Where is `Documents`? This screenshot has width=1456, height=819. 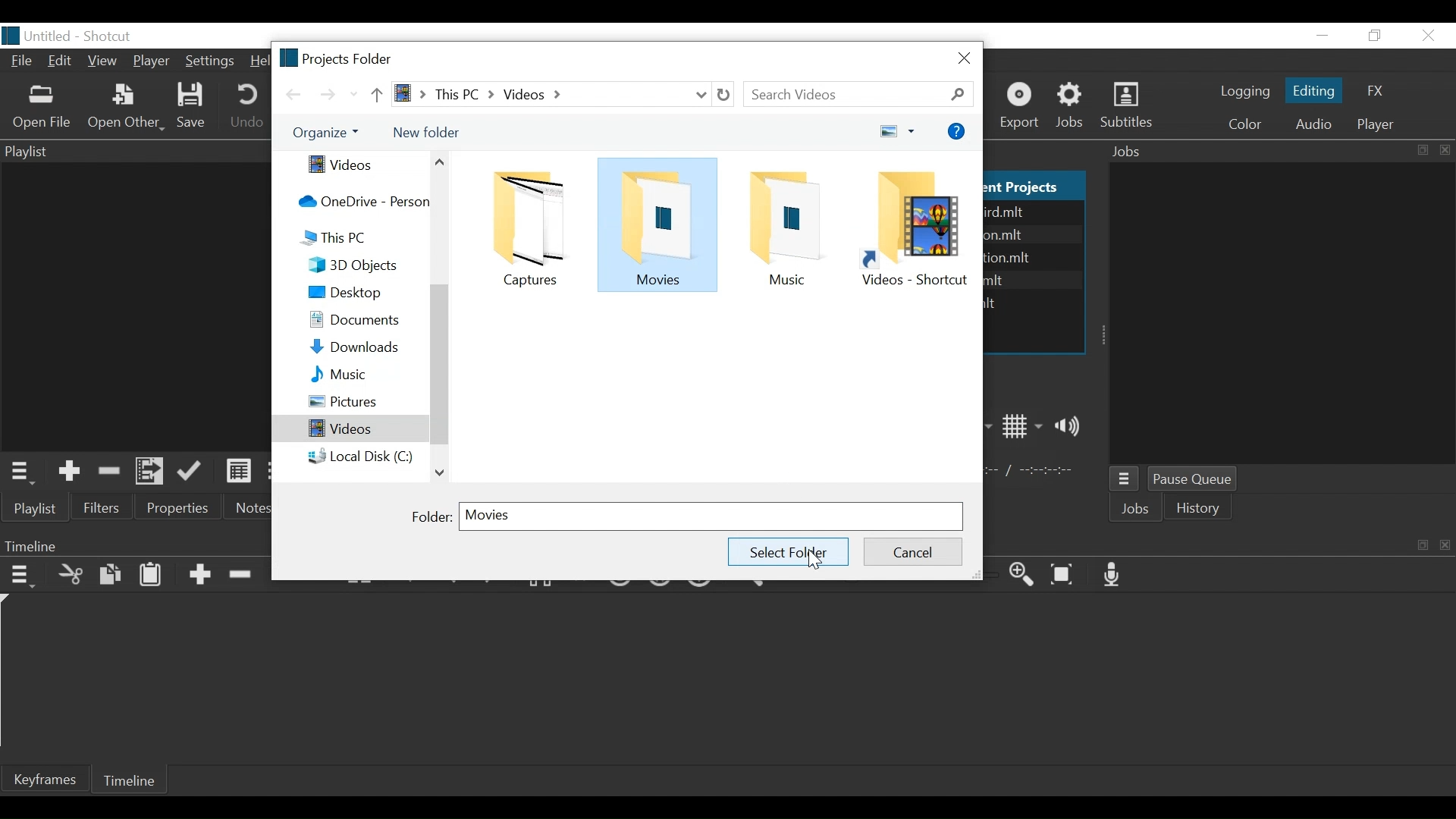
Documents is located at coordinates (362, 318).